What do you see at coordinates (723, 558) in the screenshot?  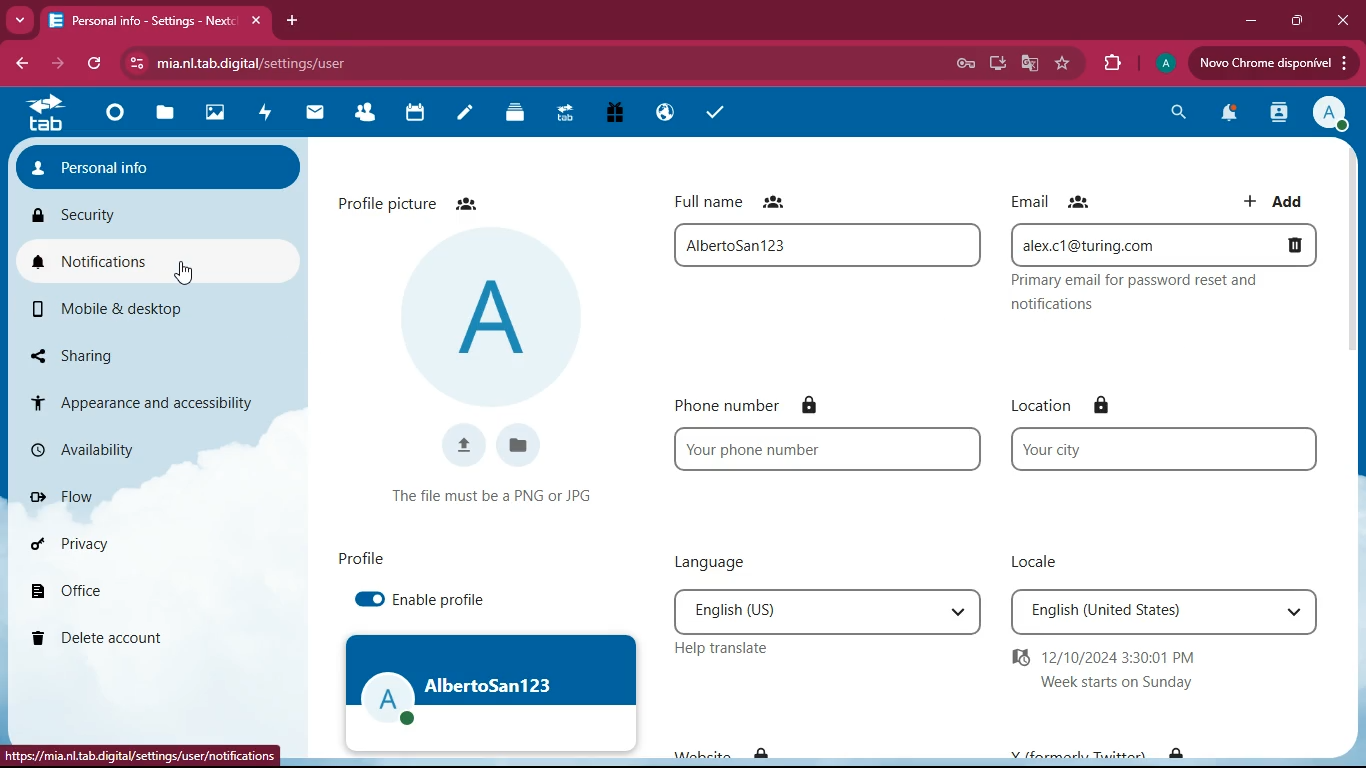 I see `language` at bounding box center [723, 558].